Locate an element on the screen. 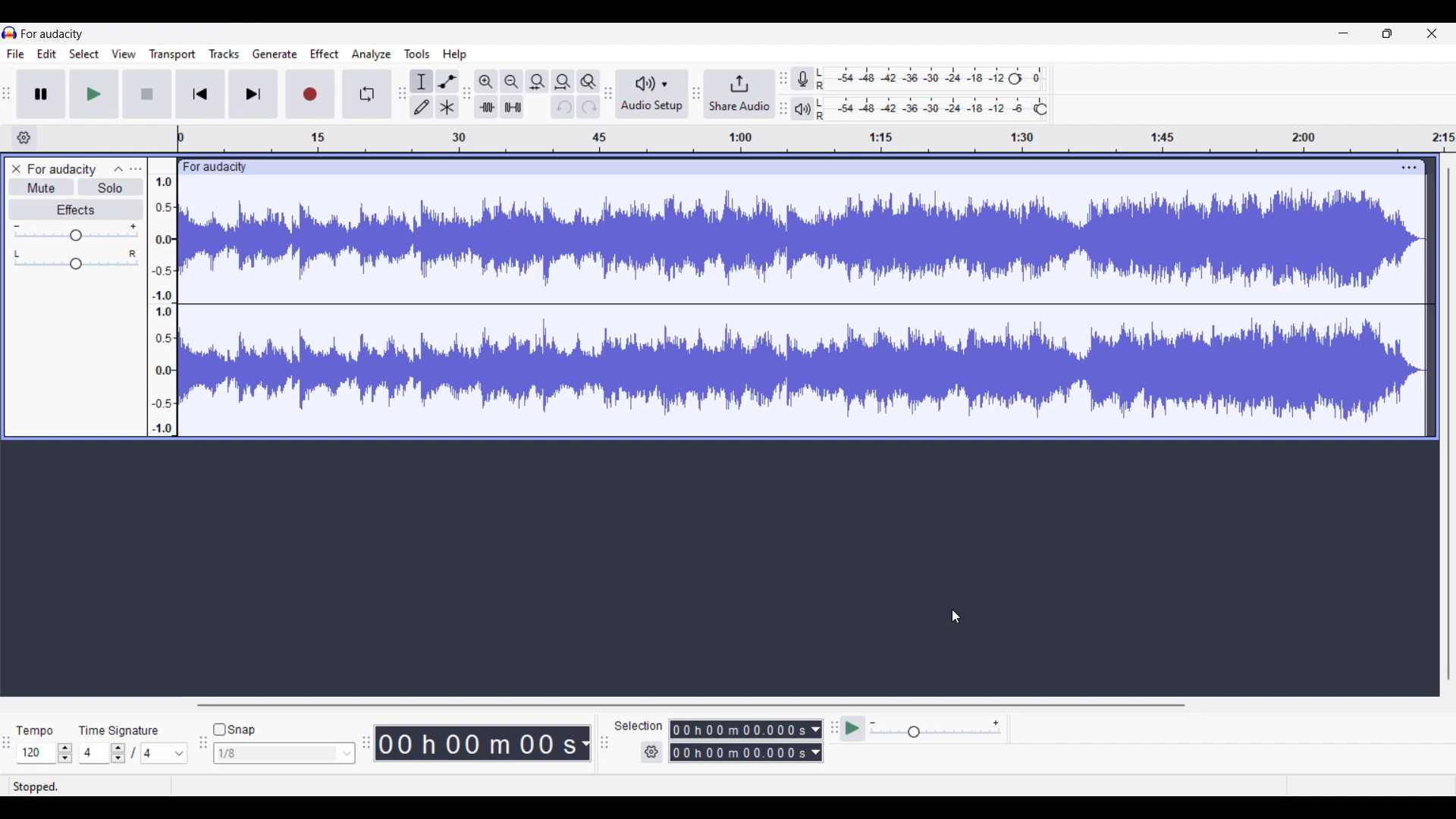  Cursor position unchanged is located at coordinates (956, 616).